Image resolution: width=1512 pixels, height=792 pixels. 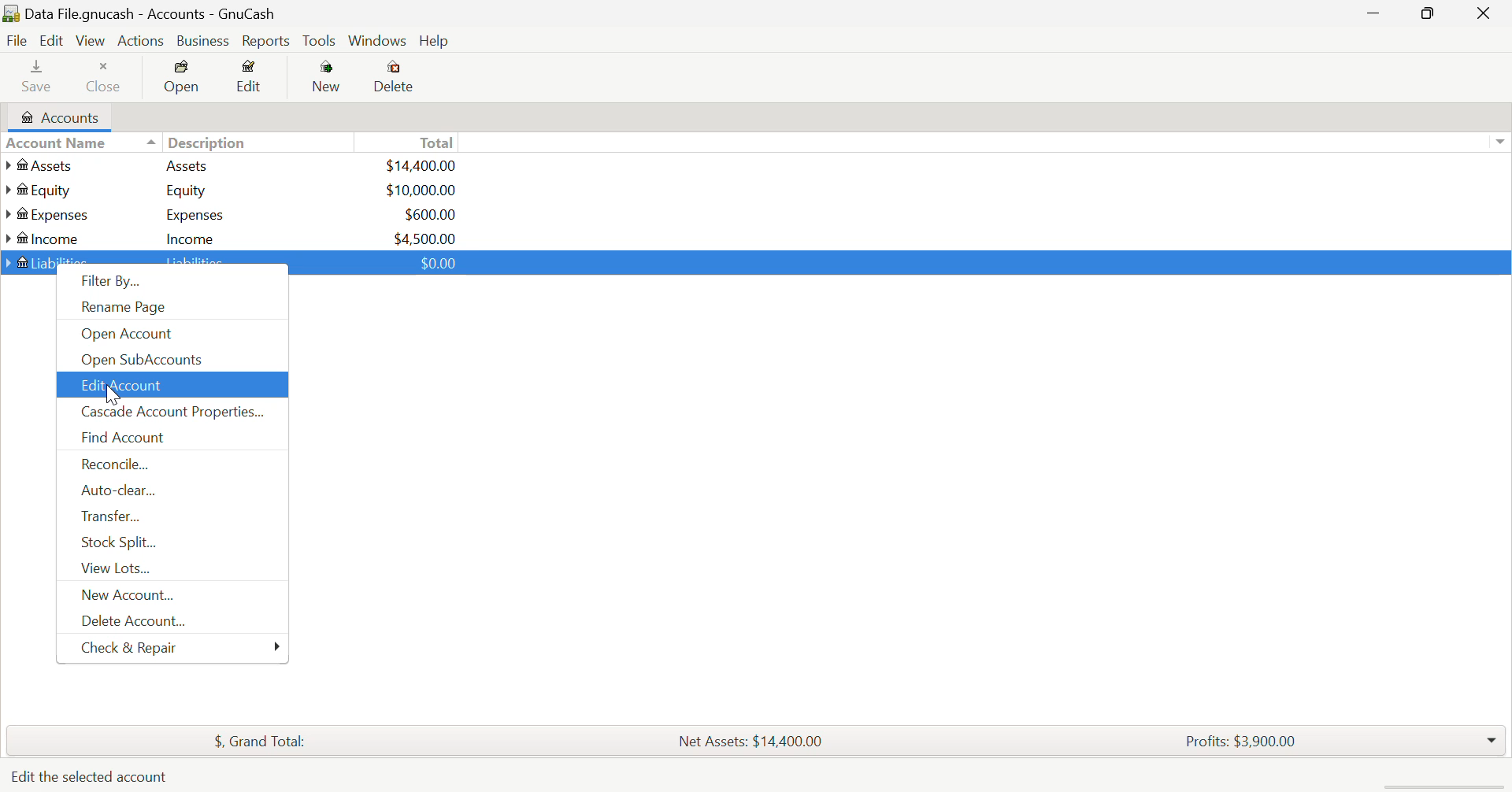 What do you see at coordinates (170, 333) in the screenshot?
I see `Open Account` at bounding box center [170, 333].